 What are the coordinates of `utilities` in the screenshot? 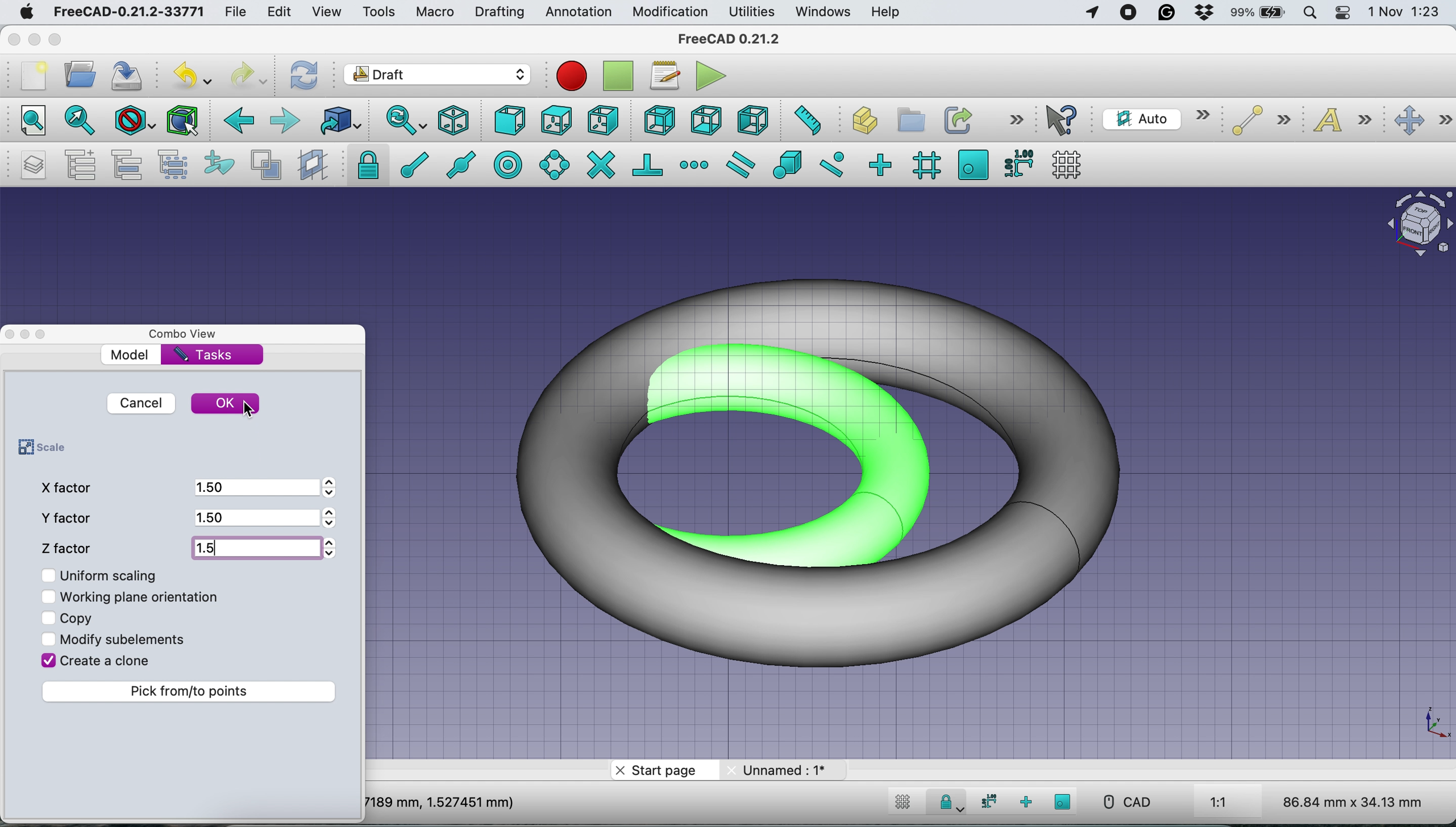 It's located at (753, 12).